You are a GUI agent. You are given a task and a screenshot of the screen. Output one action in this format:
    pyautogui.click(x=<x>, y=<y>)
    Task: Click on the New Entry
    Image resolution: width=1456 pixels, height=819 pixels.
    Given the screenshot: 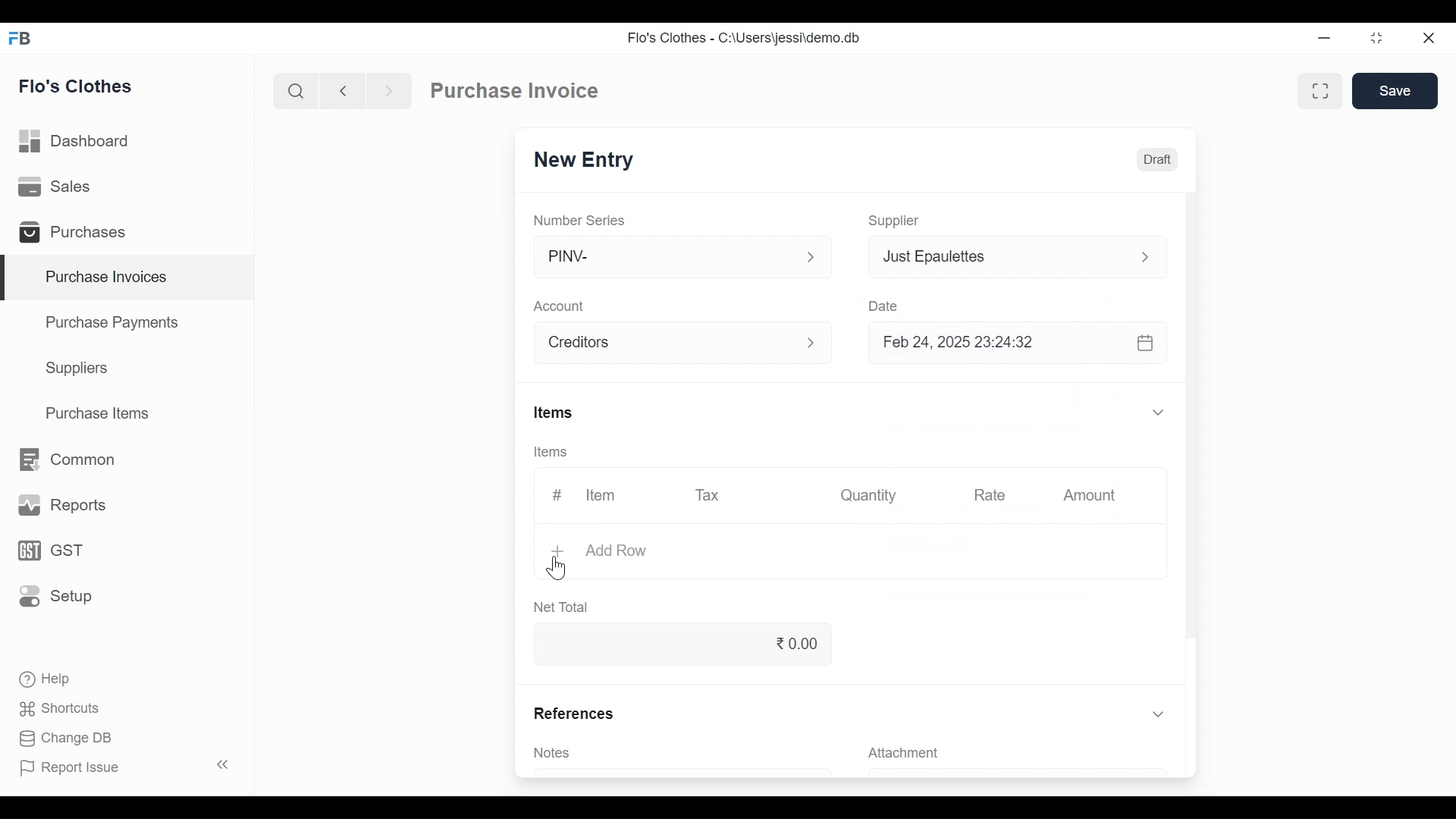 What is the action you would take?
    pyautogui.click(x=585, y=160)
    